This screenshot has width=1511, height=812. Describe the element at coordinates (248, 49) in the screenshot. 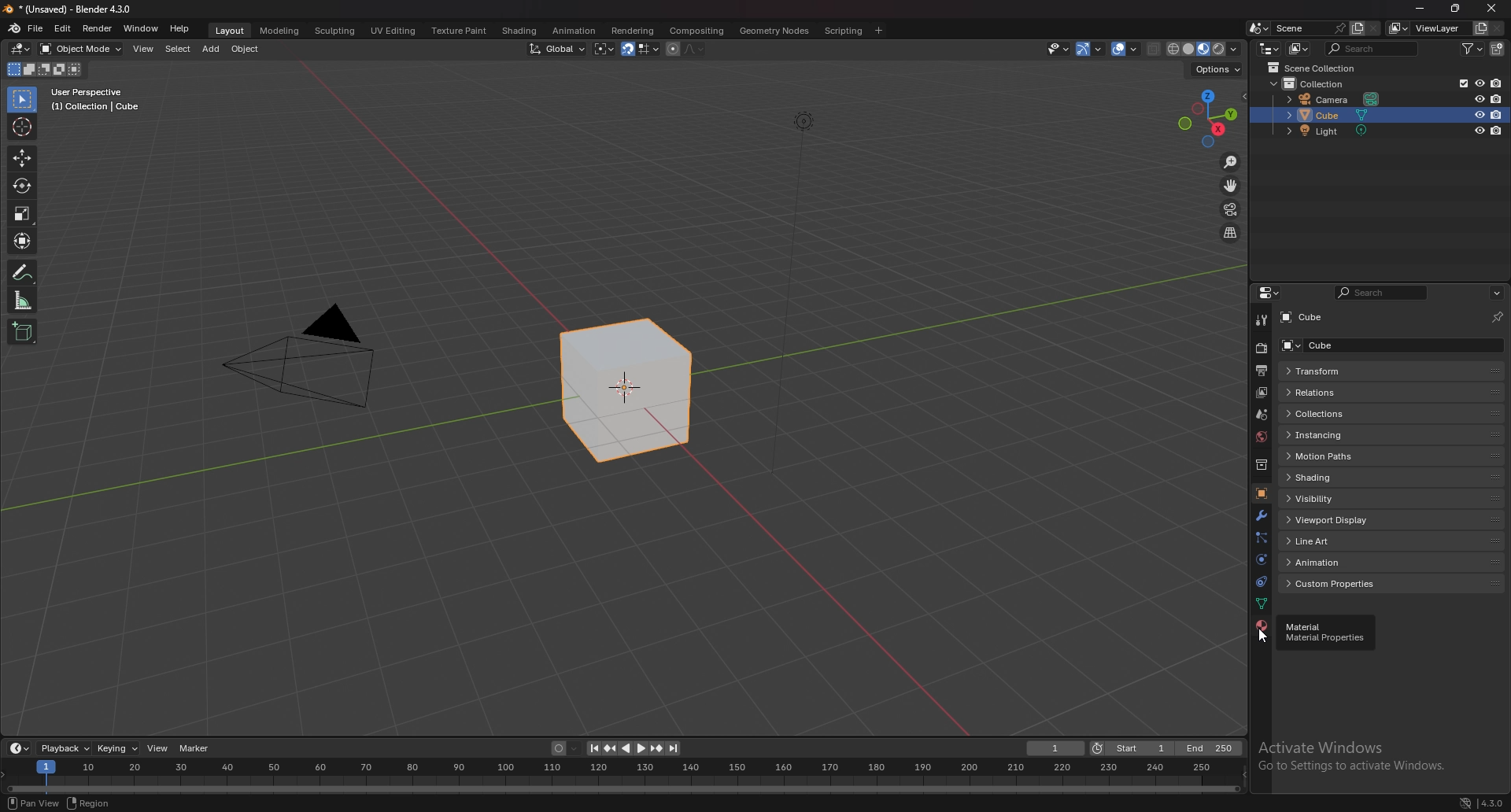

I see `object` at that location.